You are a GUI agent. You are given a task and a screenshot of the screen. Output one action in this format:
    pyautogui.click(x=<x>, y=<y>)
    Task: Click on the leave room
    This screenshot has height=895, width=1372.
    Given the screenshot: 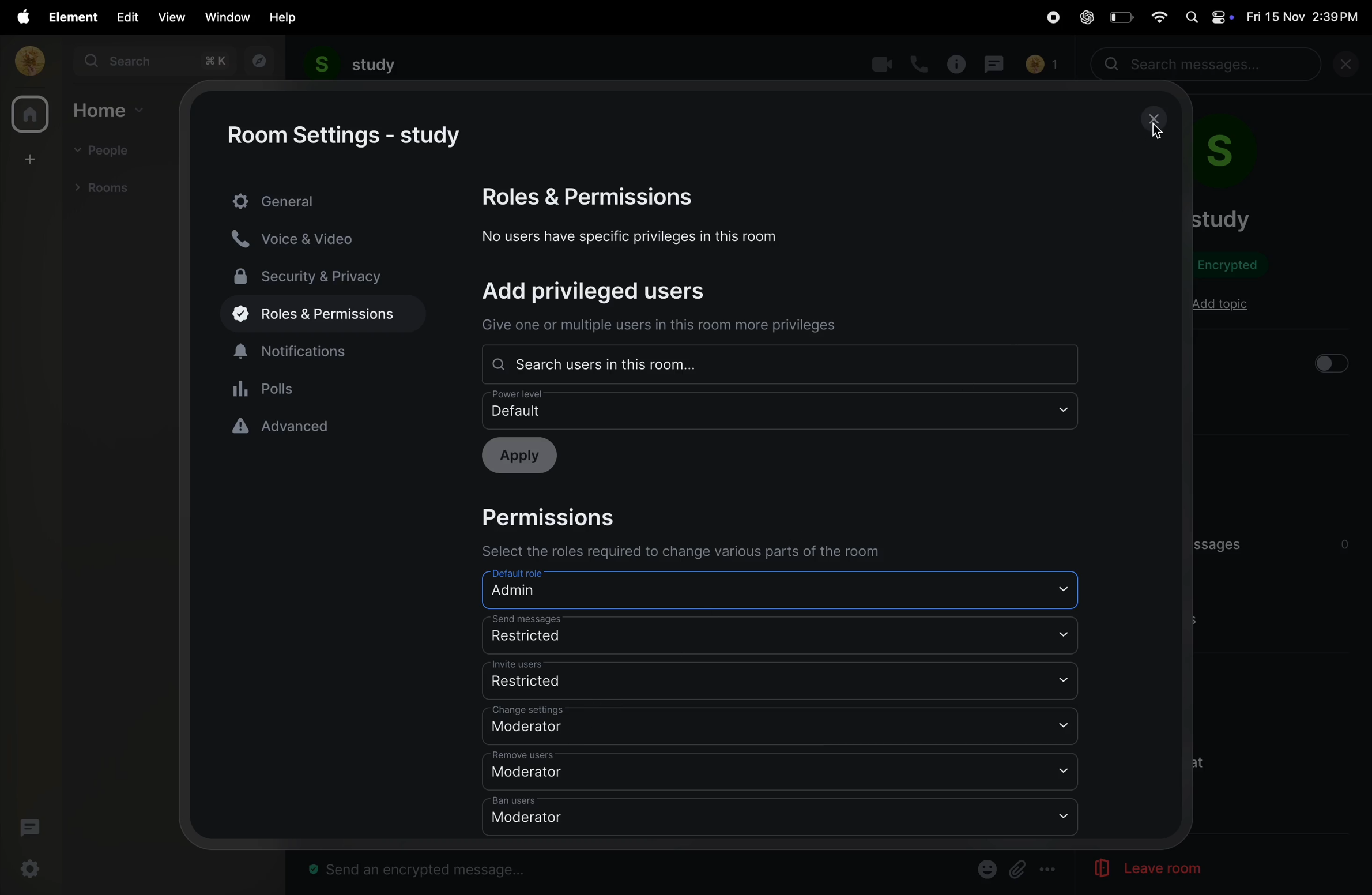 What is the action you would take?
    pyautogui.click(x=1132, y=869)
    